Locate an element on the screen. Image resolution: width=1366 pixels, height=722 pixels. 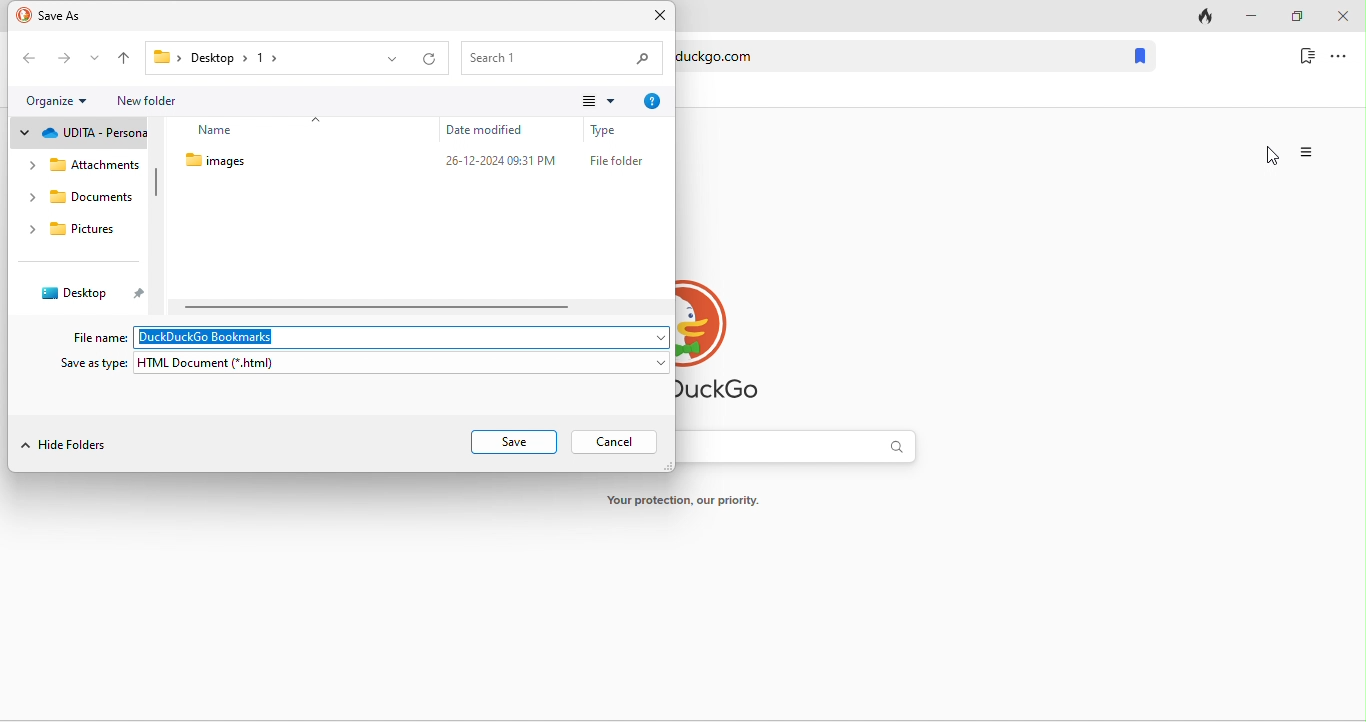
vertical scroll bar is located at coordinates (154, 185).